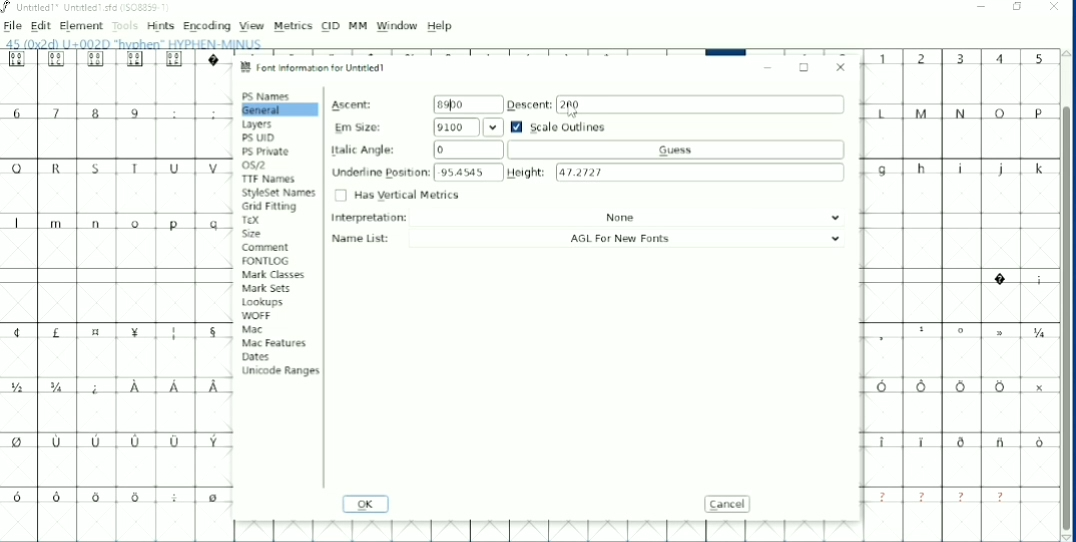 This screenshot has height=542, width=1076. Describe the element at coordinates (590, 218) in the screenshot. I see `Interpretation` at that location.